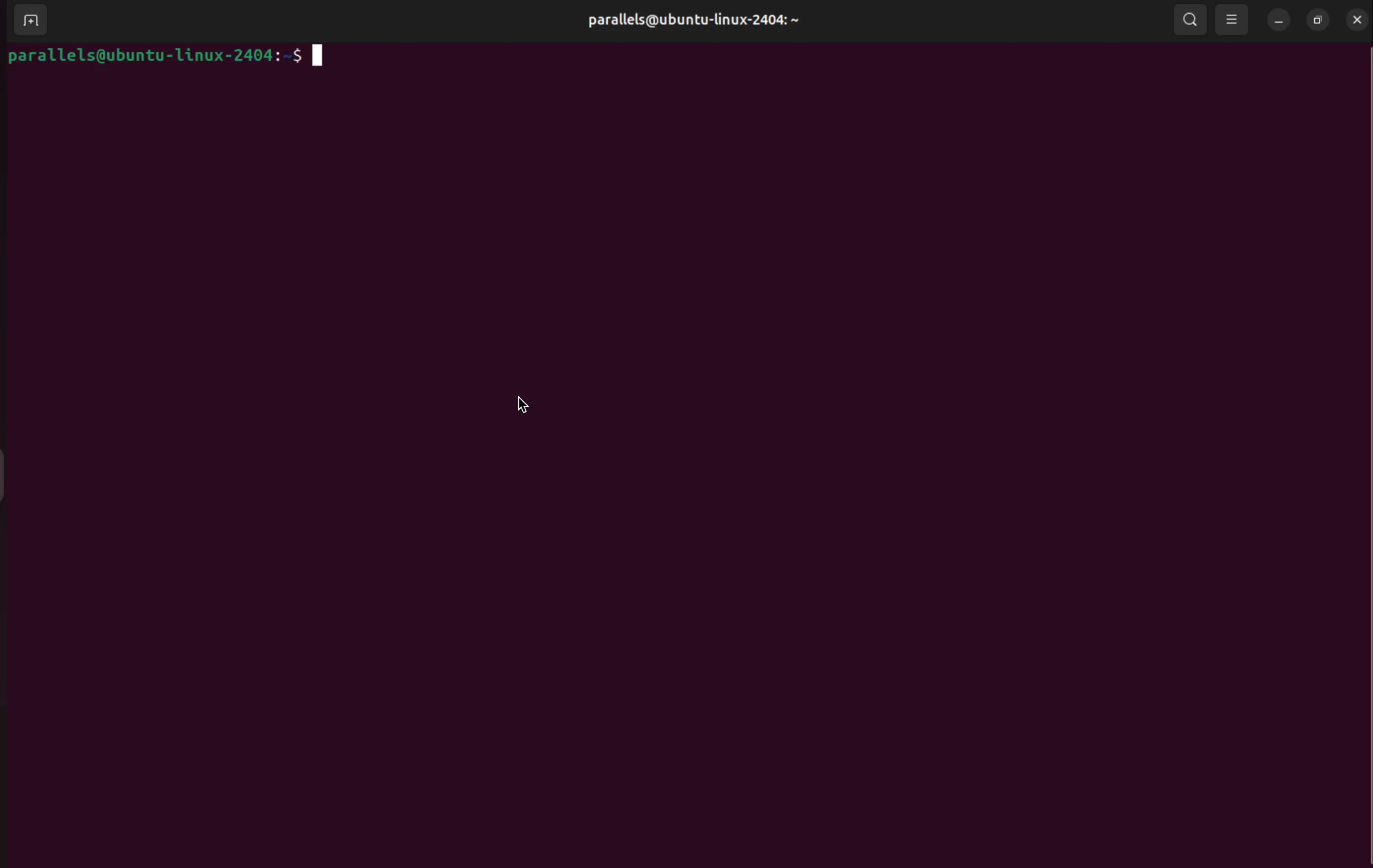  Describe the element at coordinates (1235, 21) in the screenshot. I see `view options` at that location.